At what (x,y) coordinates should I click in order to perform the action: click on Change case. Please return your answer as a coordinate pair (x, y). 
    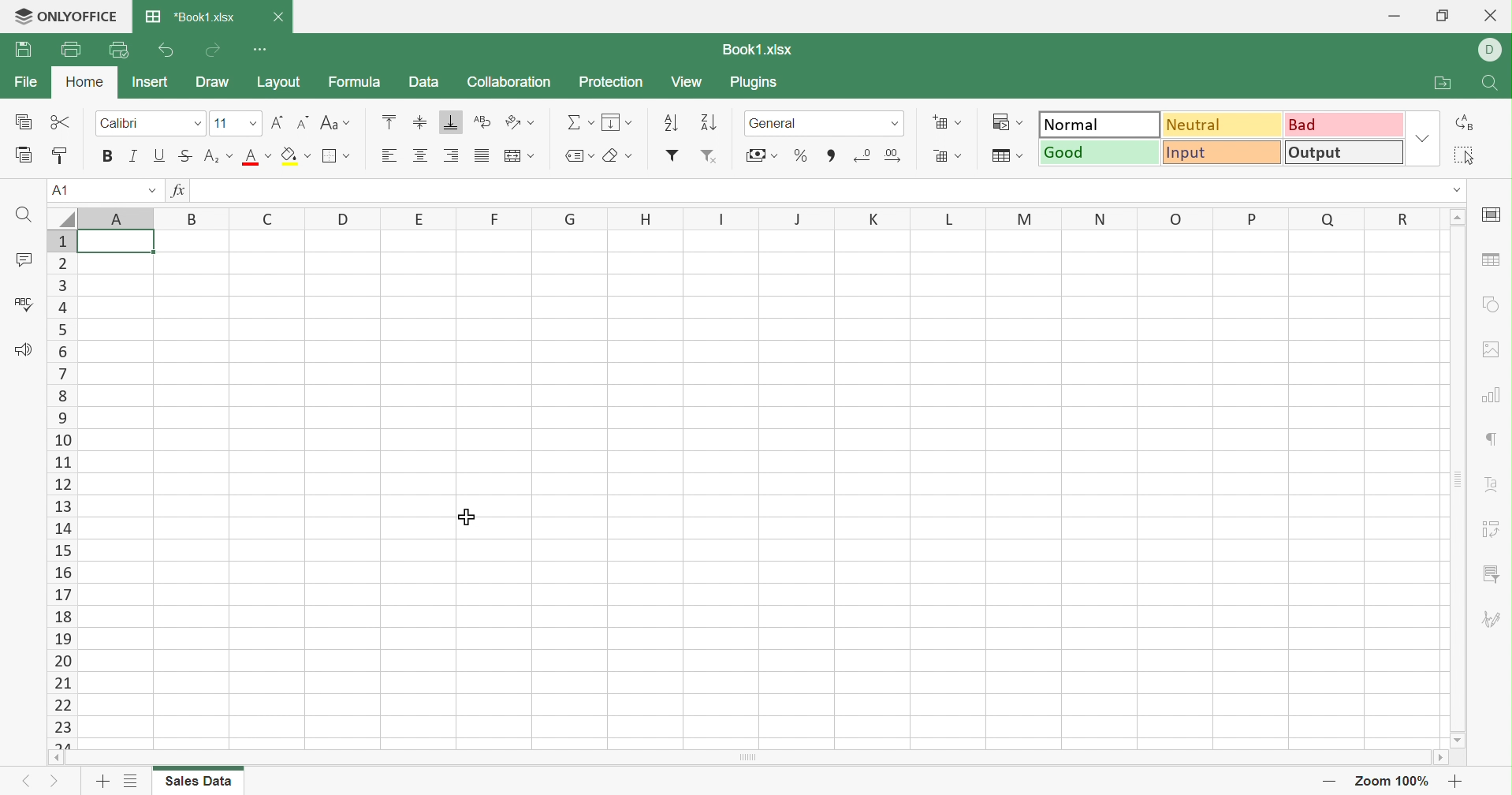
    Looking at the image, I should click on (338, 121).